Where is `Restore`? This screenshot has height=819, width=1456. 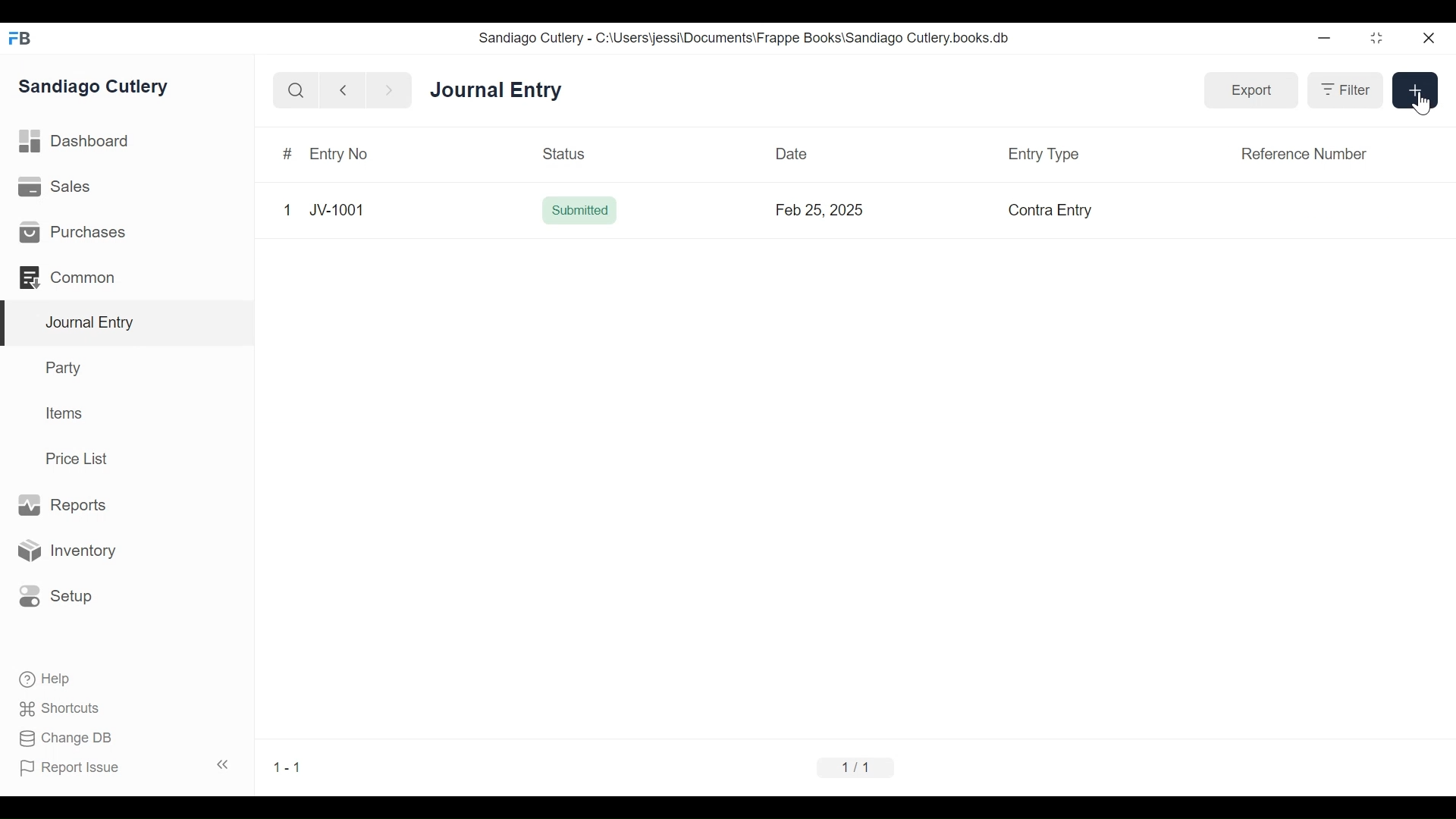 Restore is located at coordinates (1376, 39).